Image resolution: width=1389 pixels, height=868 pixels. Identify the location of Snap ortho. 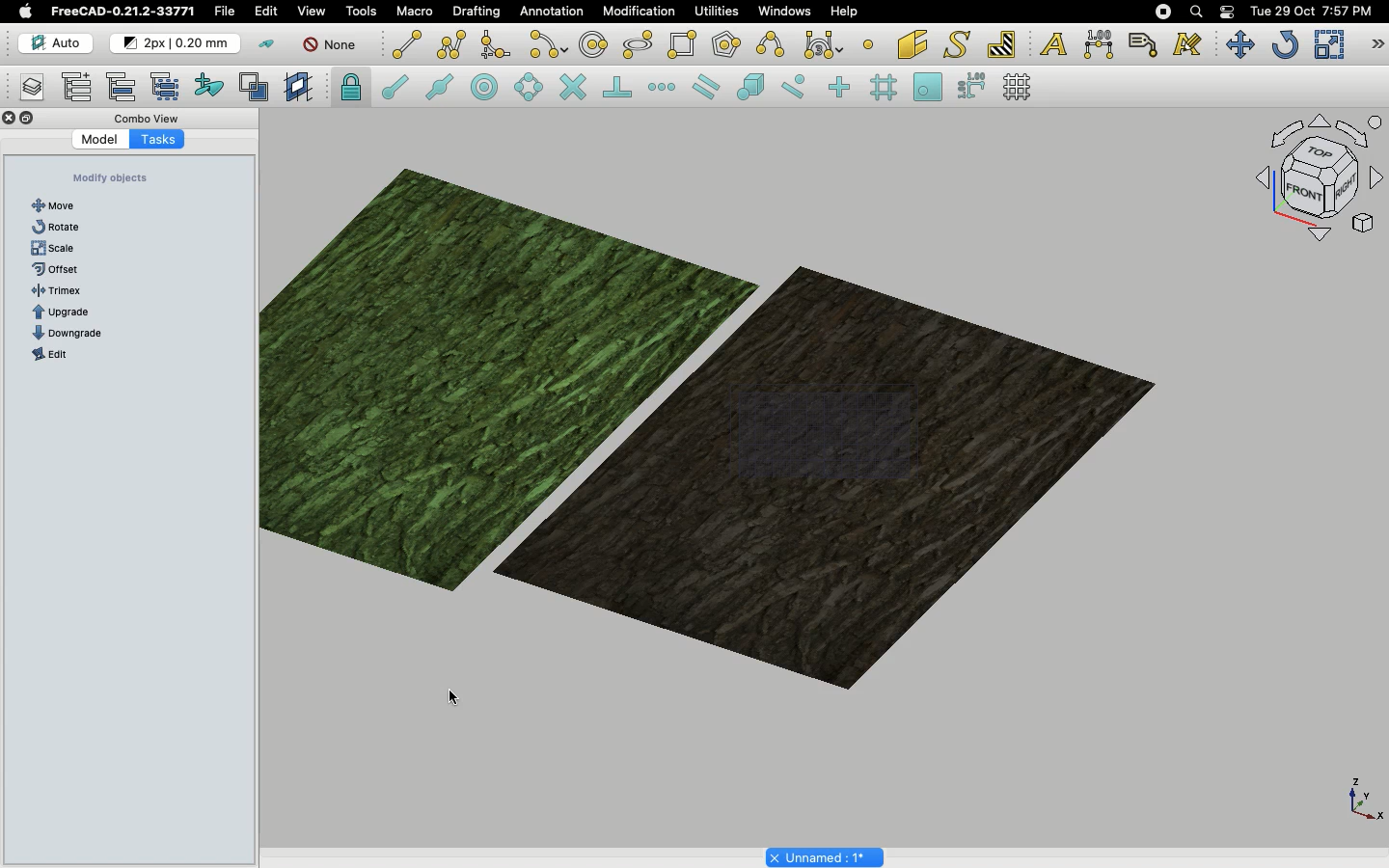
(842, 89).